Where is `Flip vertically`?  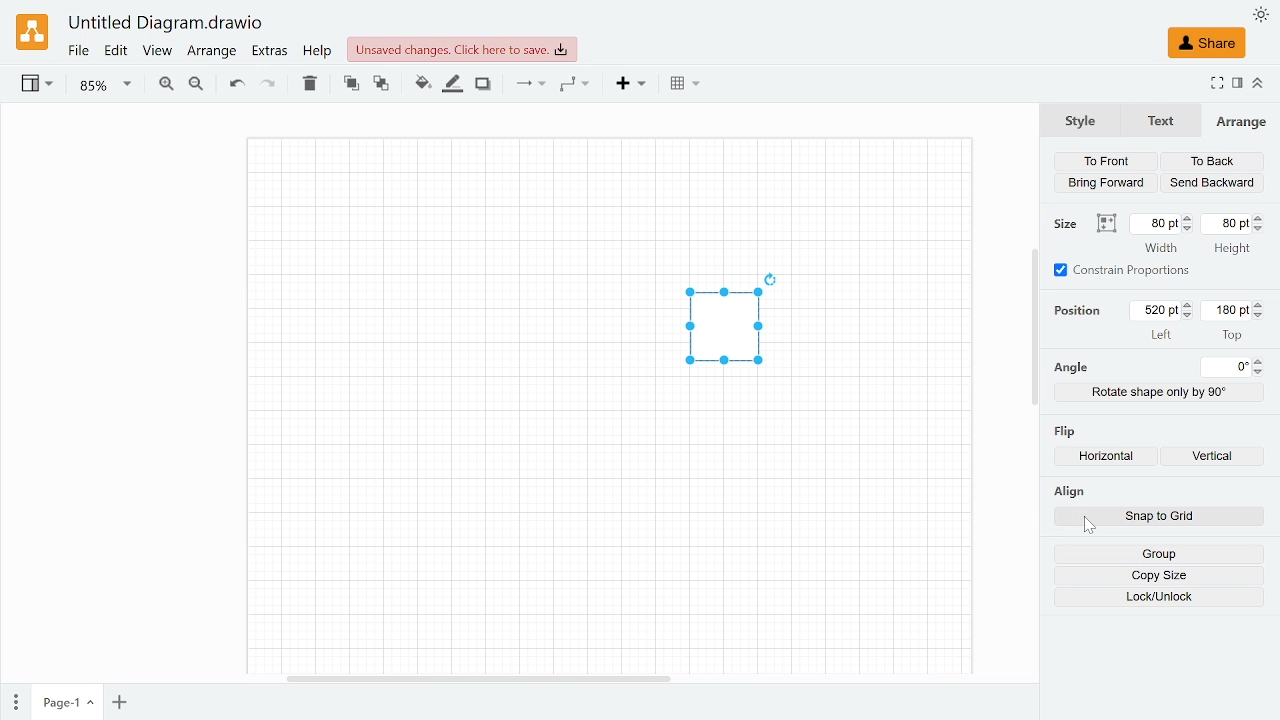
Flip vertically is located at coordinates (1218, 458).